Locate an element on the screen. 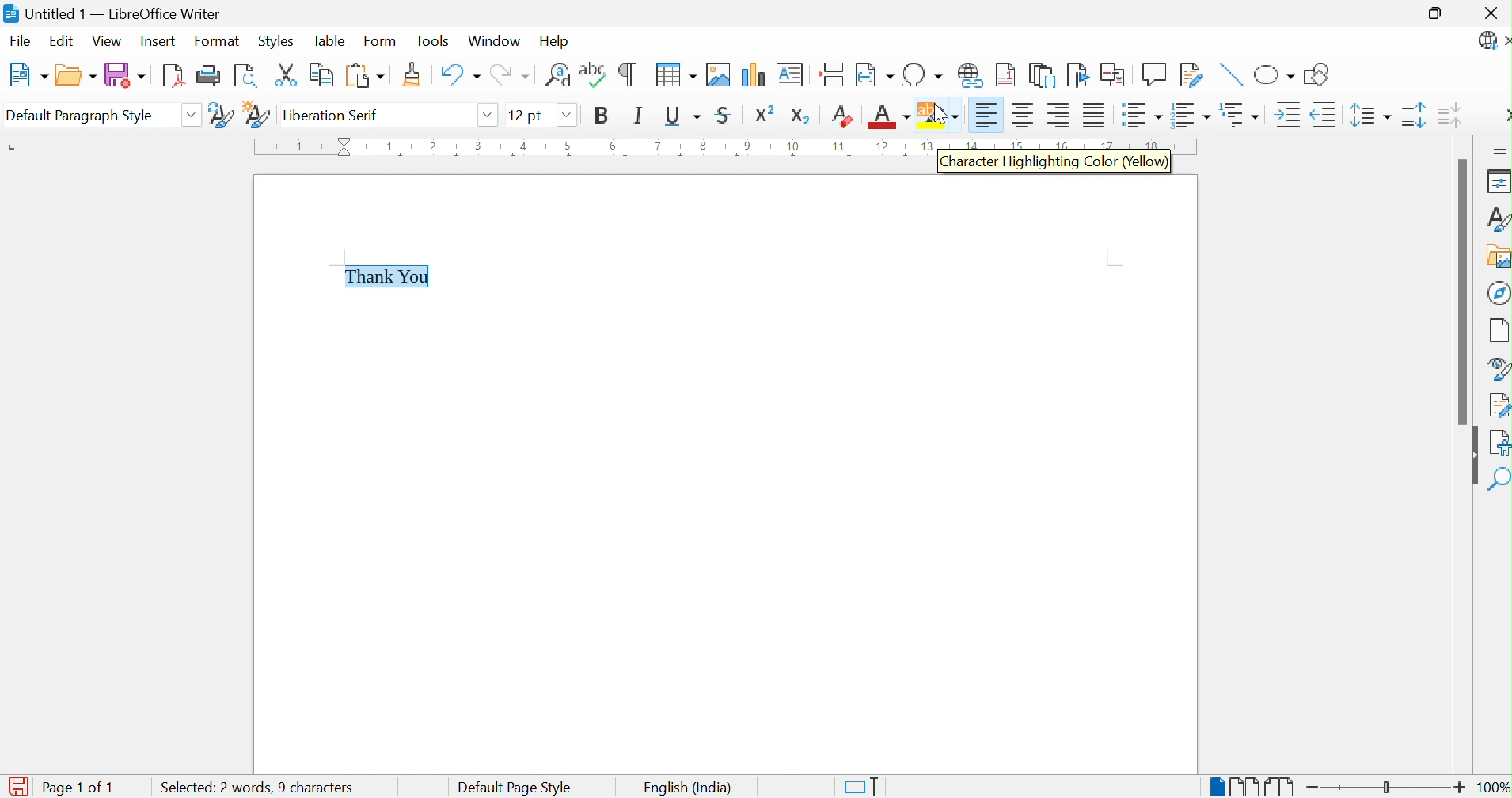 This screenshot has width=1512, height=798. Toggle Unordered List is located at coordinates (1142, 114).